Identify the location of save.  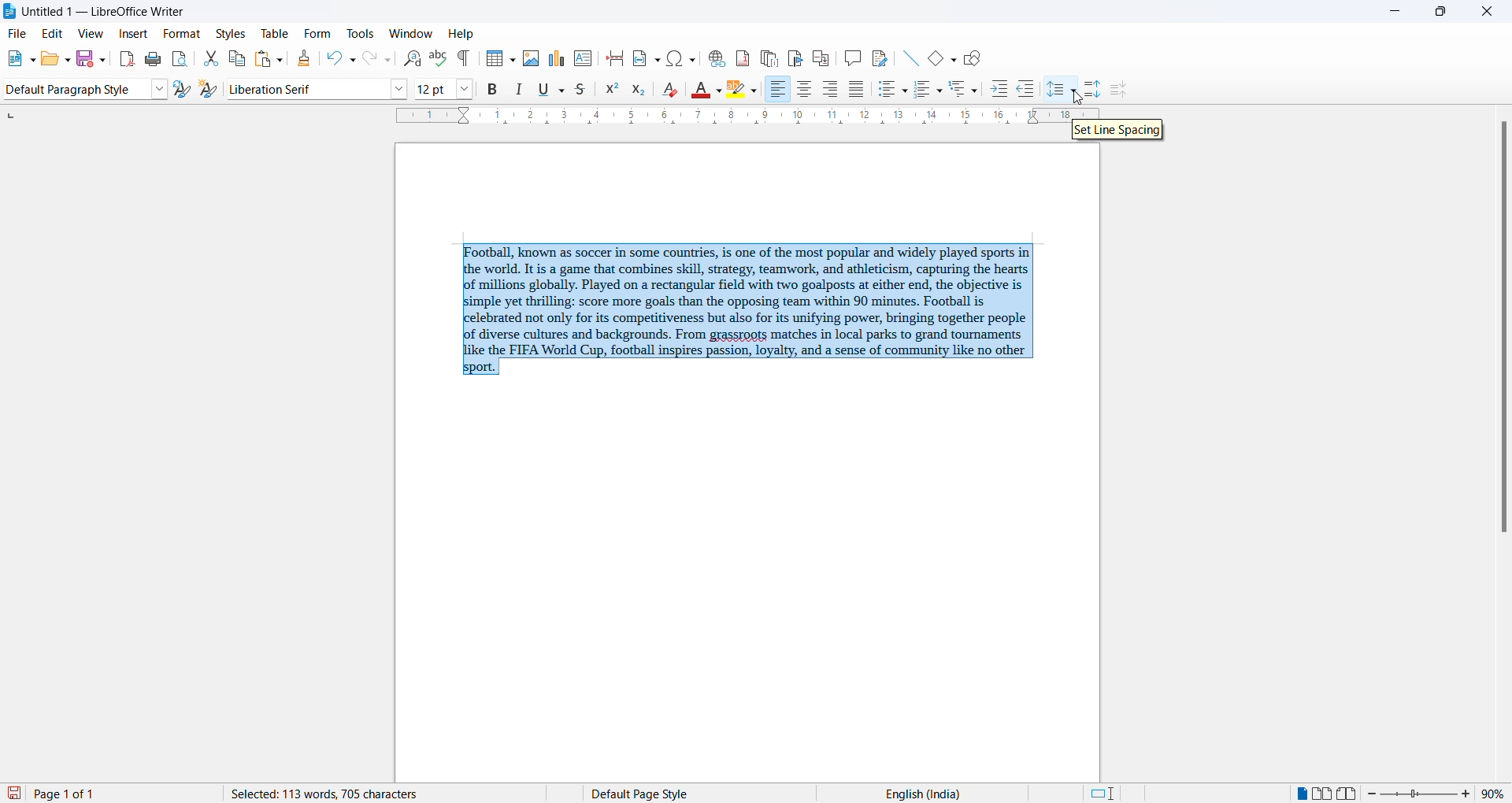
(82, 57).